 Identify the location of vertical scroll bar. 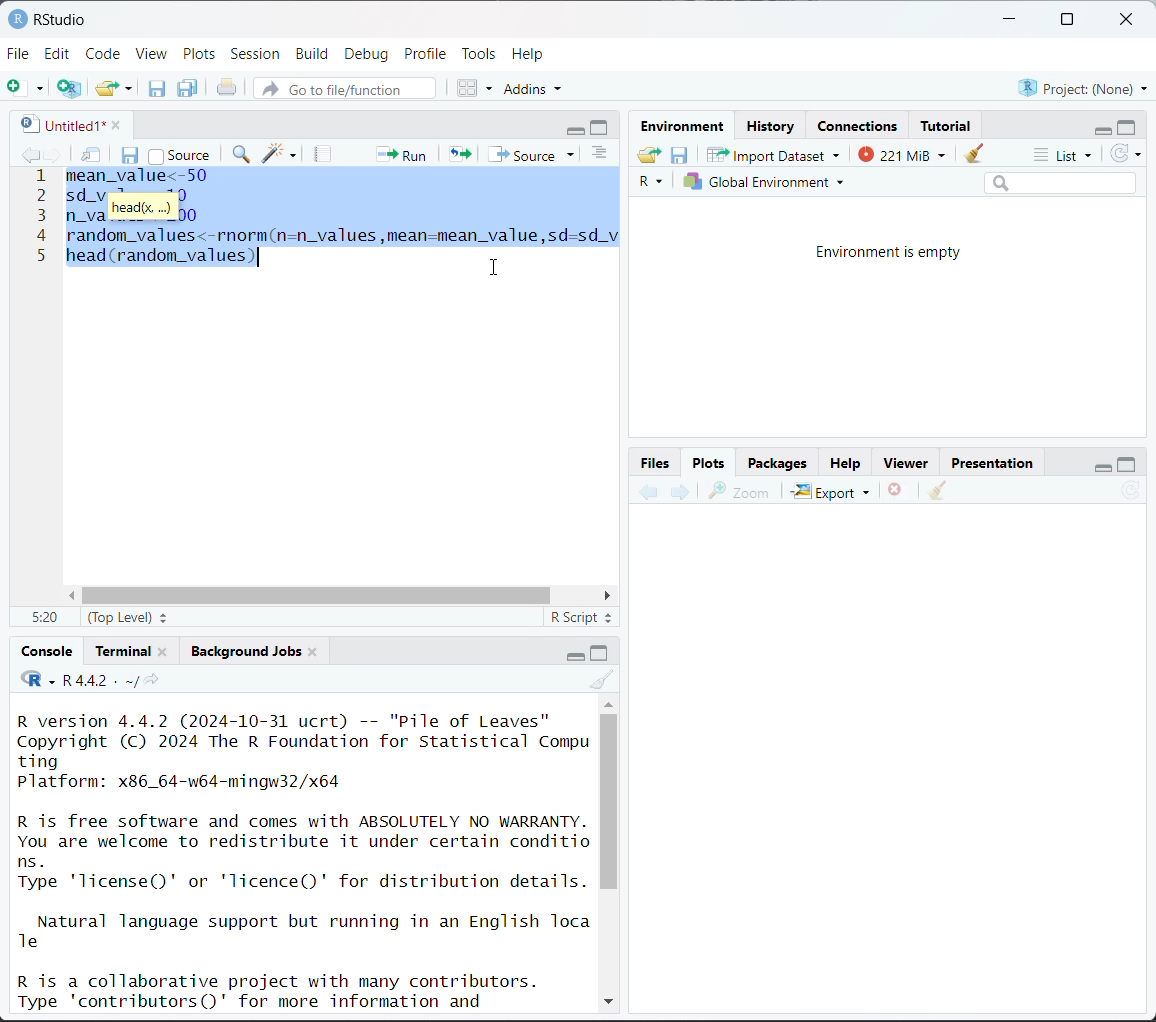
(609, 801).